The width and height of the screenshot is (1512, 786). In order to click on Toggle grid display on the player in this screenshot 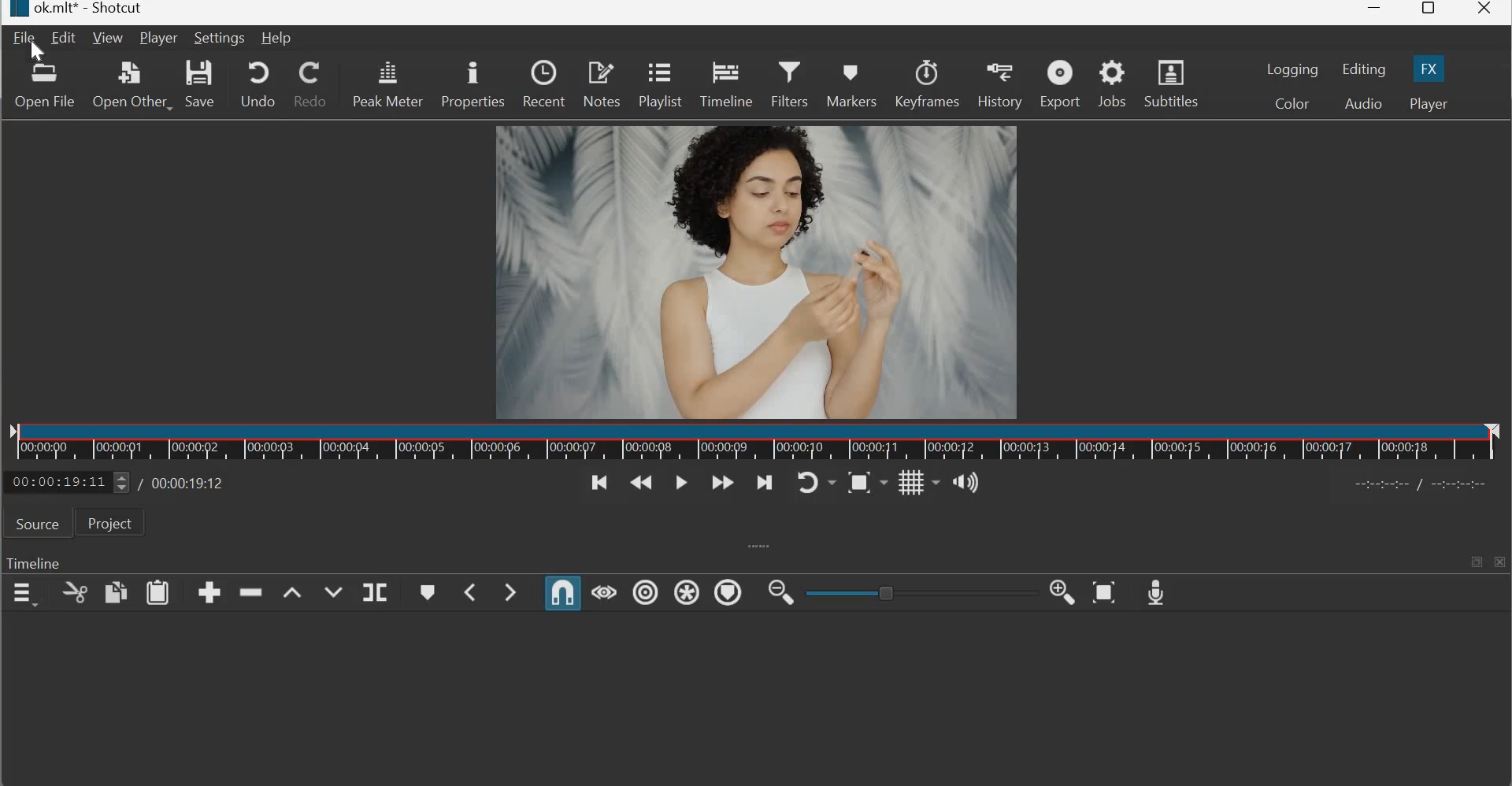, I will do `click(918, 481)`.